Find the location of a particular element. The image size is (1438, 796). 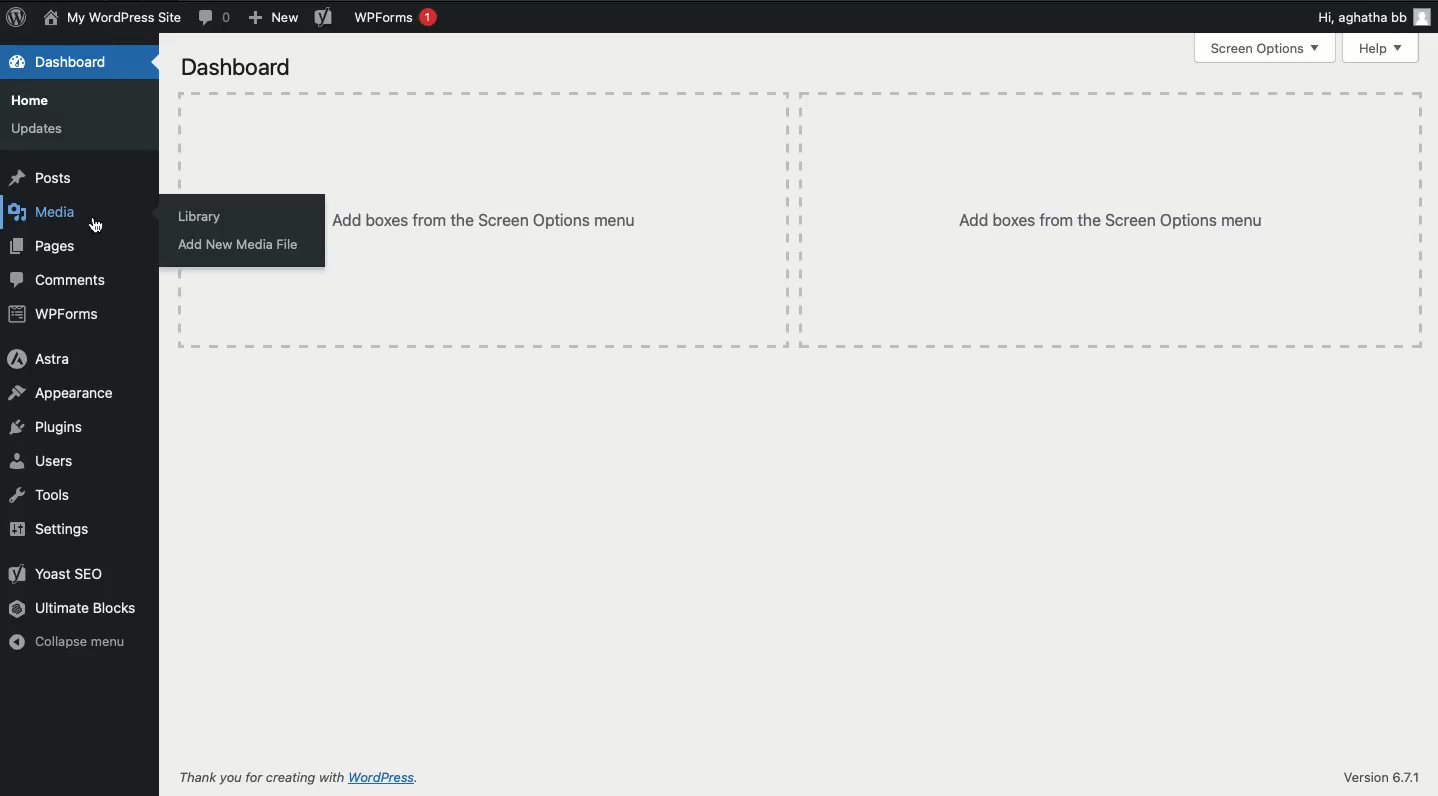

Home is located at coordinates (36, 99).